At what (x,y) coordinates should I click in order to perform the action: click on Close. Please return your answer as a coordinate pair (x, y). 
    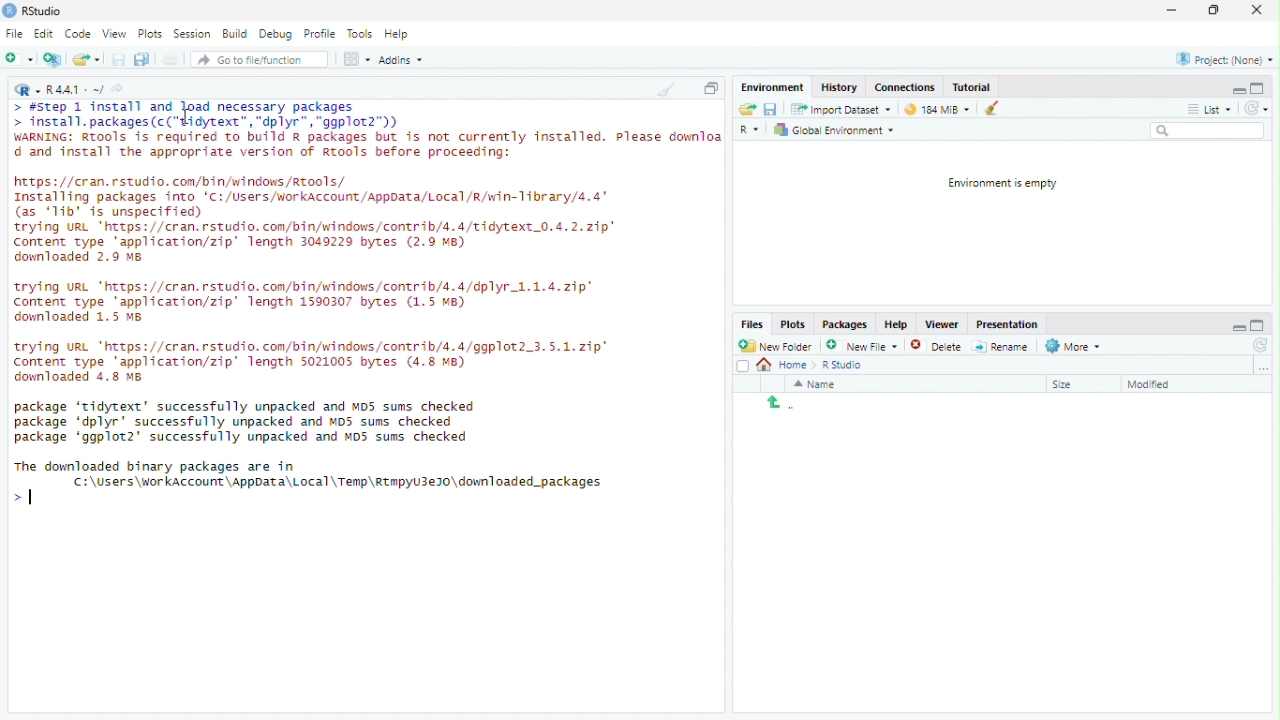
    Looking at the image, I should click on (1256, 11).